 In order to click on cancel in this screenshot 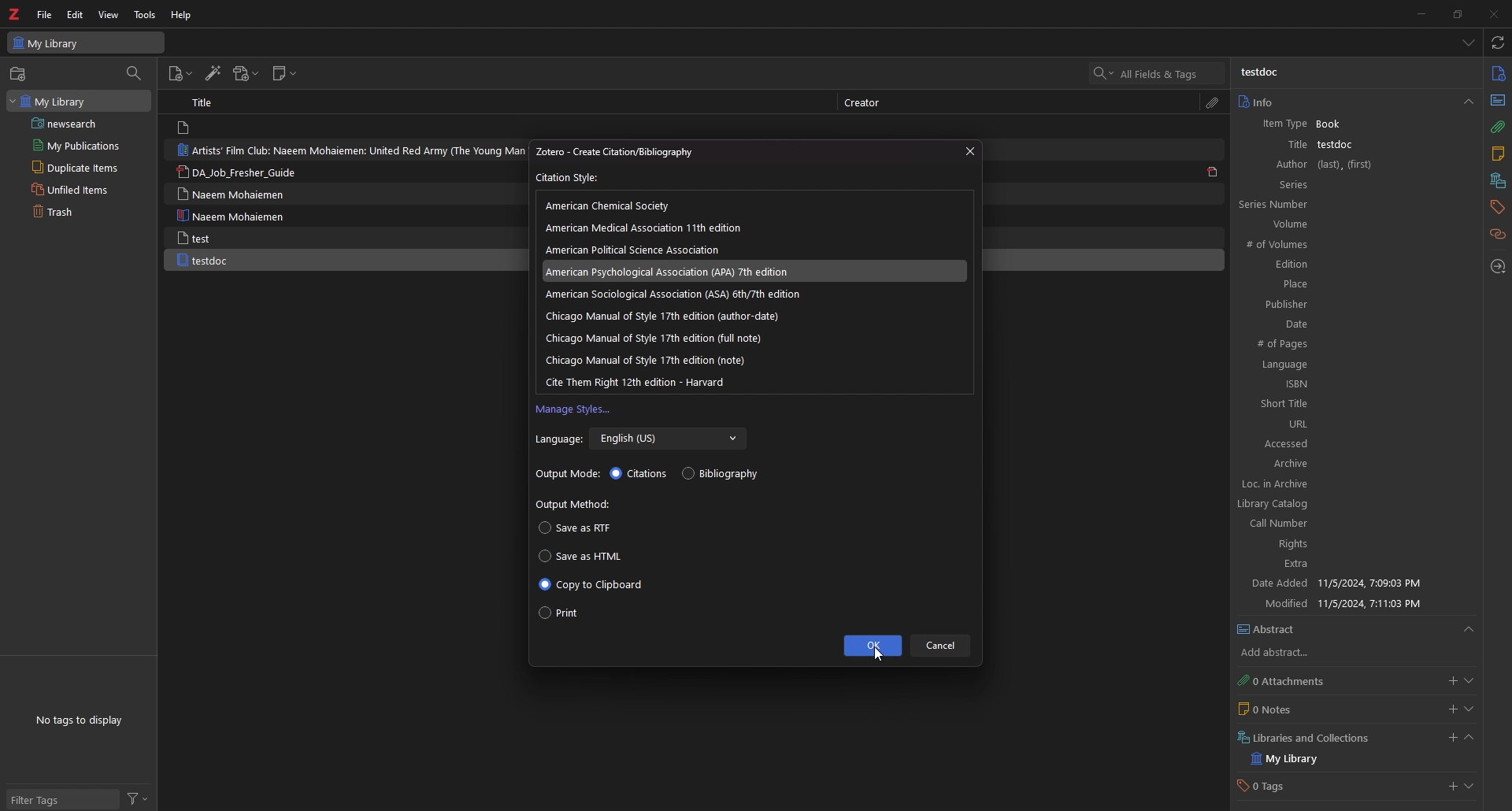, I will do `click(942, 646)`.